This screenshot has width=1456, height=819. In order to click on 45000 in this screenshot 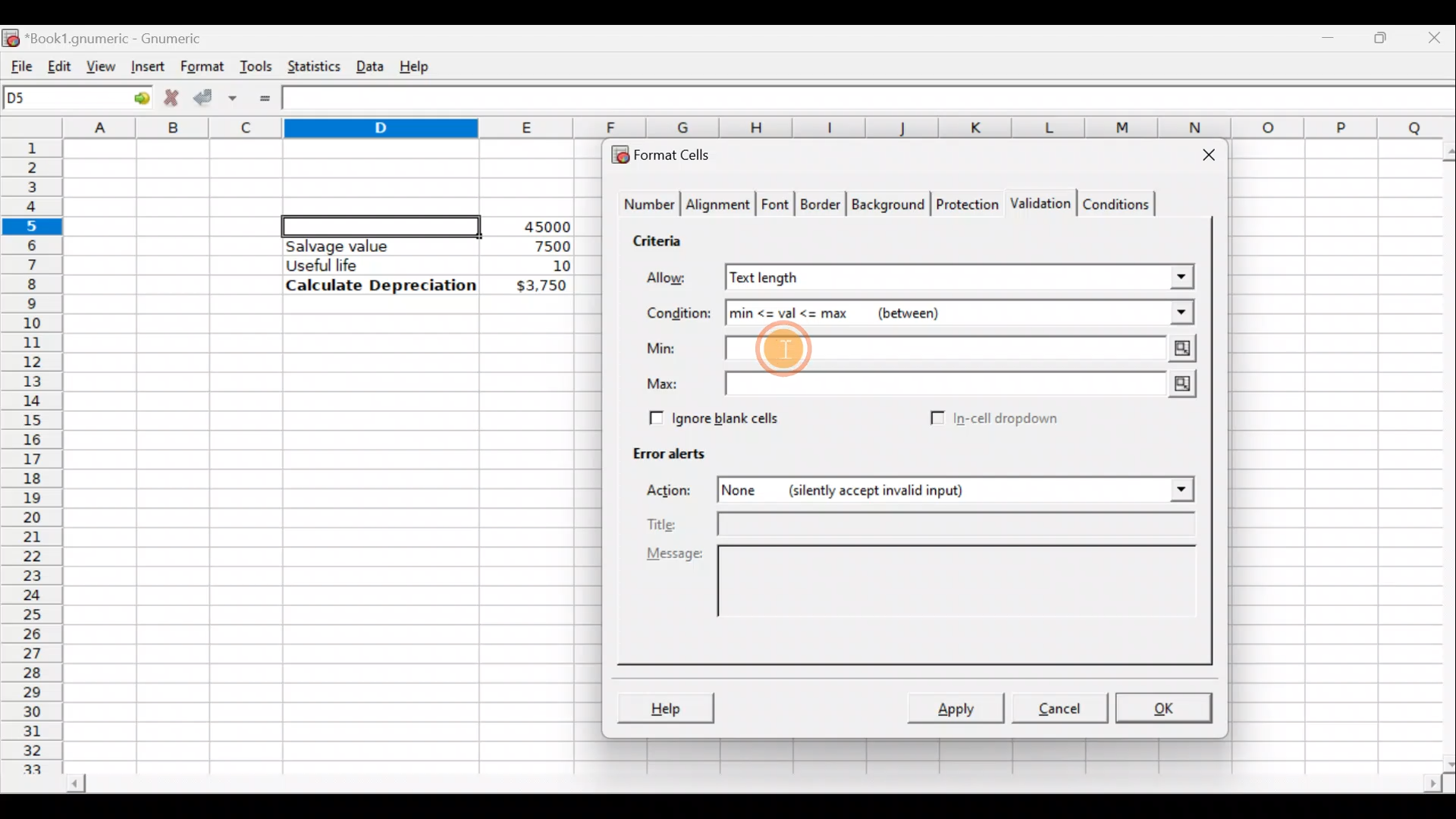, I will do `click(541, 227)`.